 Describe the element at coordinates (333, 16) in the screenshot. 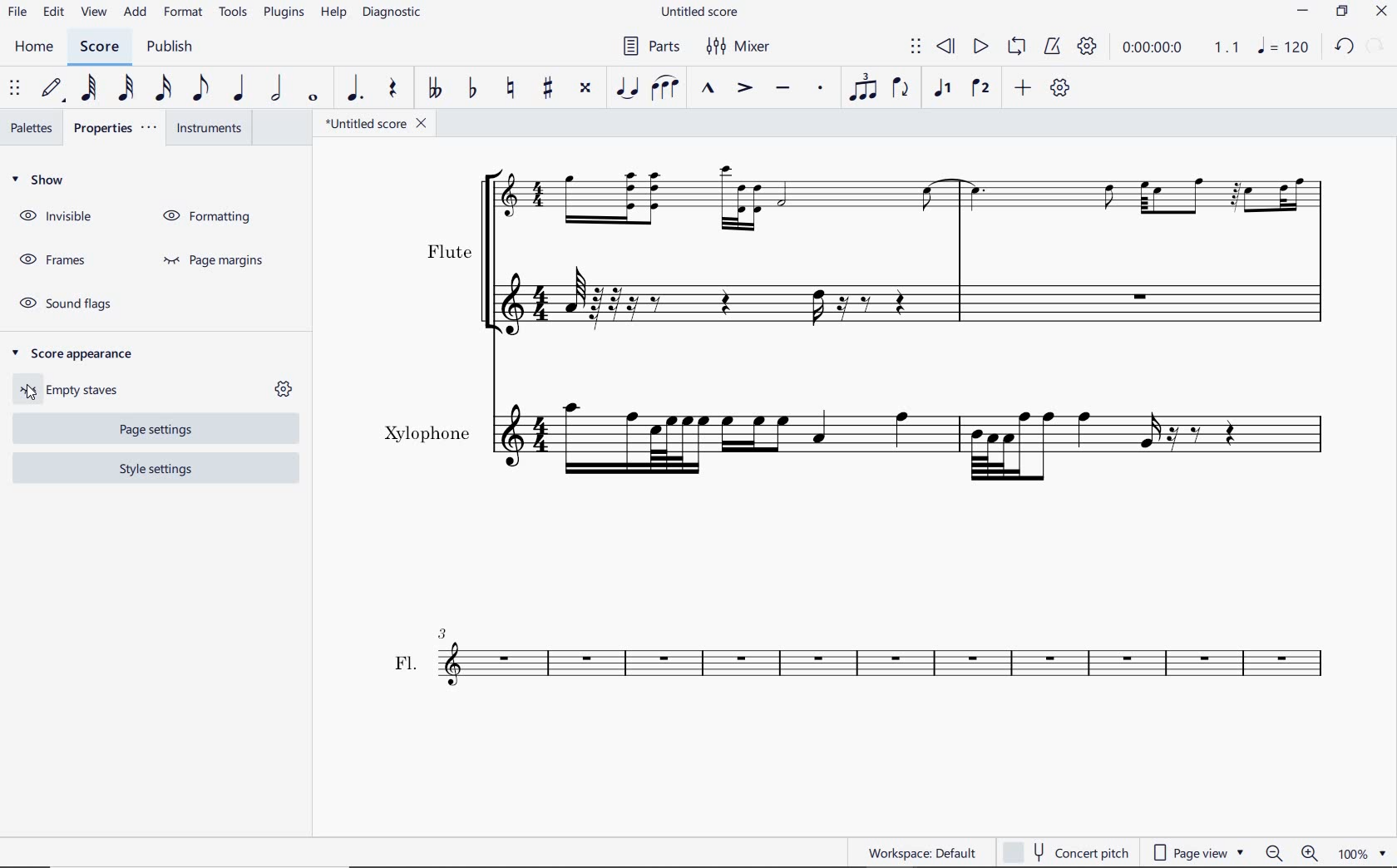

I see `HELP` at that location.